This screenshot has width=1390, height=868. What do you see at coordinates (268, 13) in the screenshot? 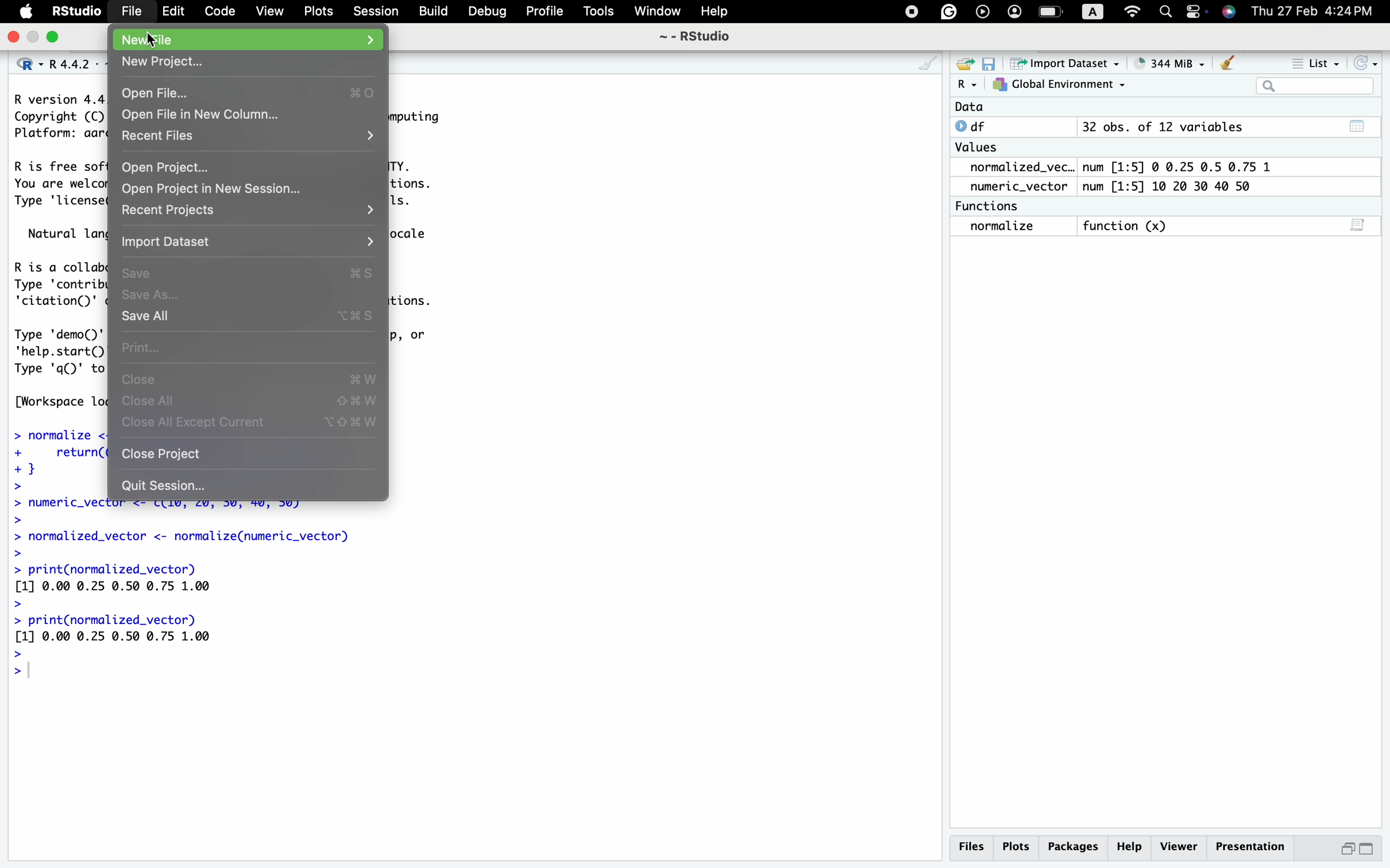
I see `View` at bounding box center [268, 13].